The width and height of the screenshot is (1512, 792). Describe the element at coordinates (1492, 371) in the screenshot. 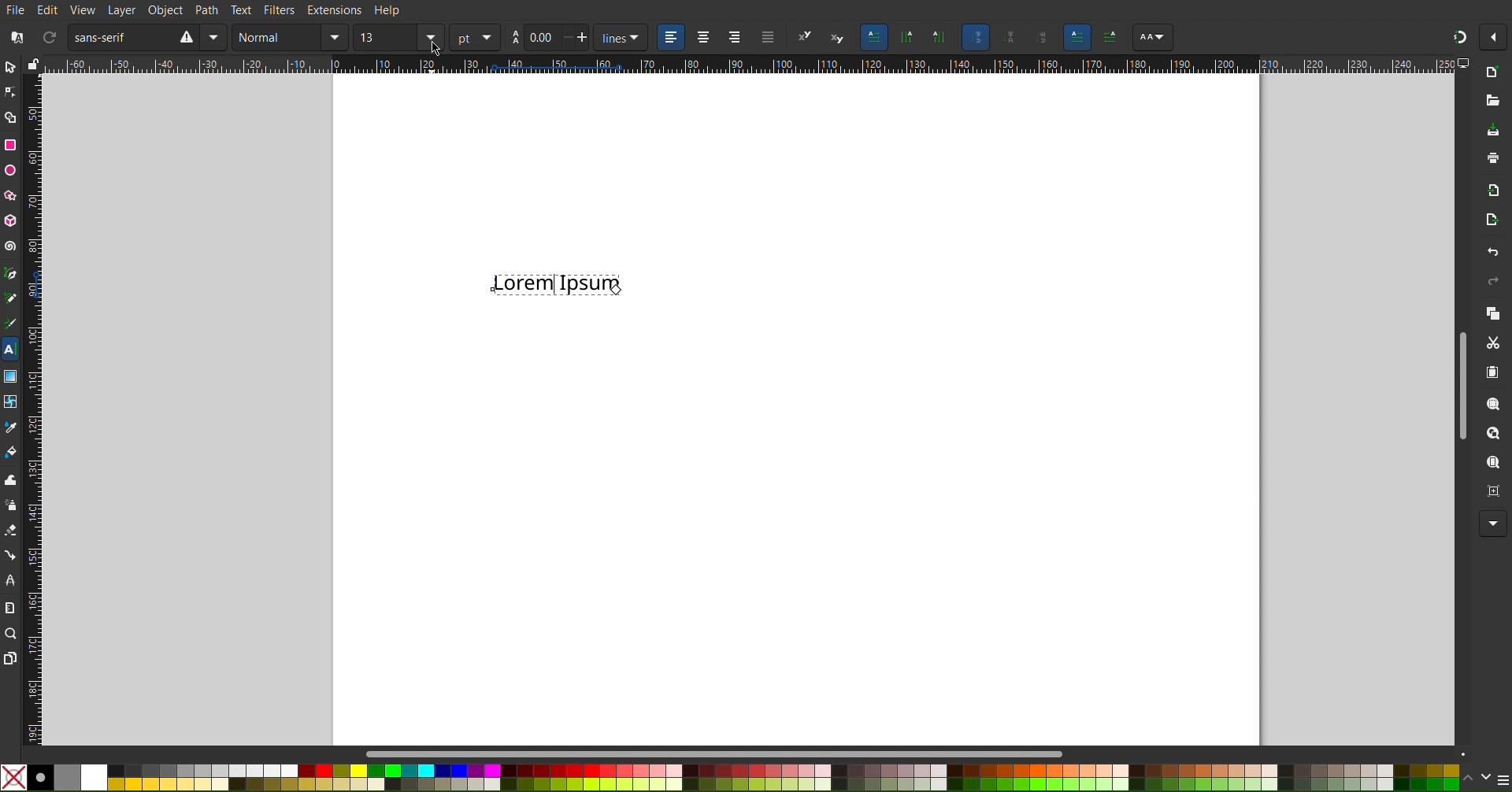

I see `Paste` at that location.